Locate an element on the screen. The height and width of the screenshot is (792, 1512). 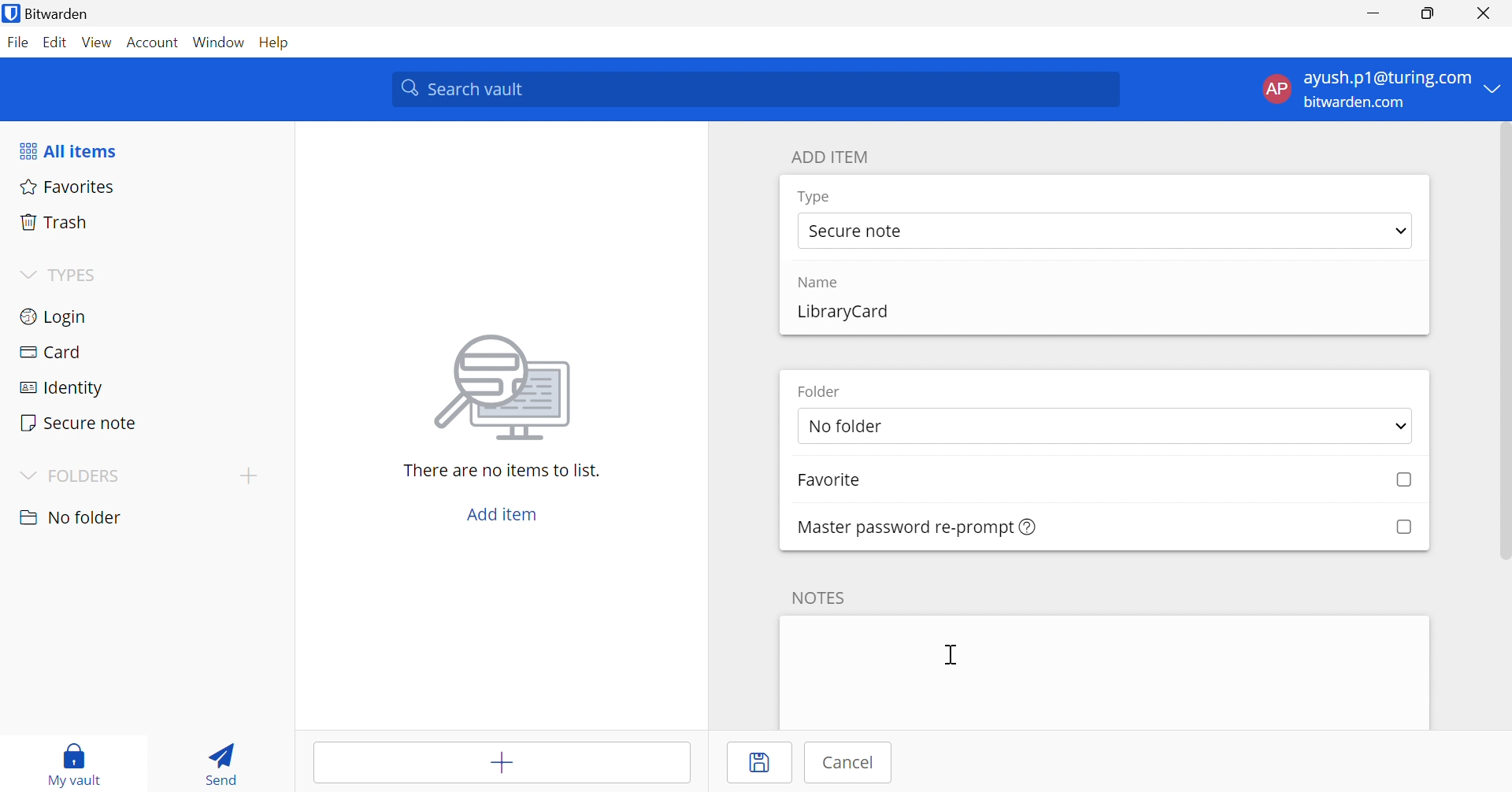
ADD ITEM is located at coordinates (830, 156).